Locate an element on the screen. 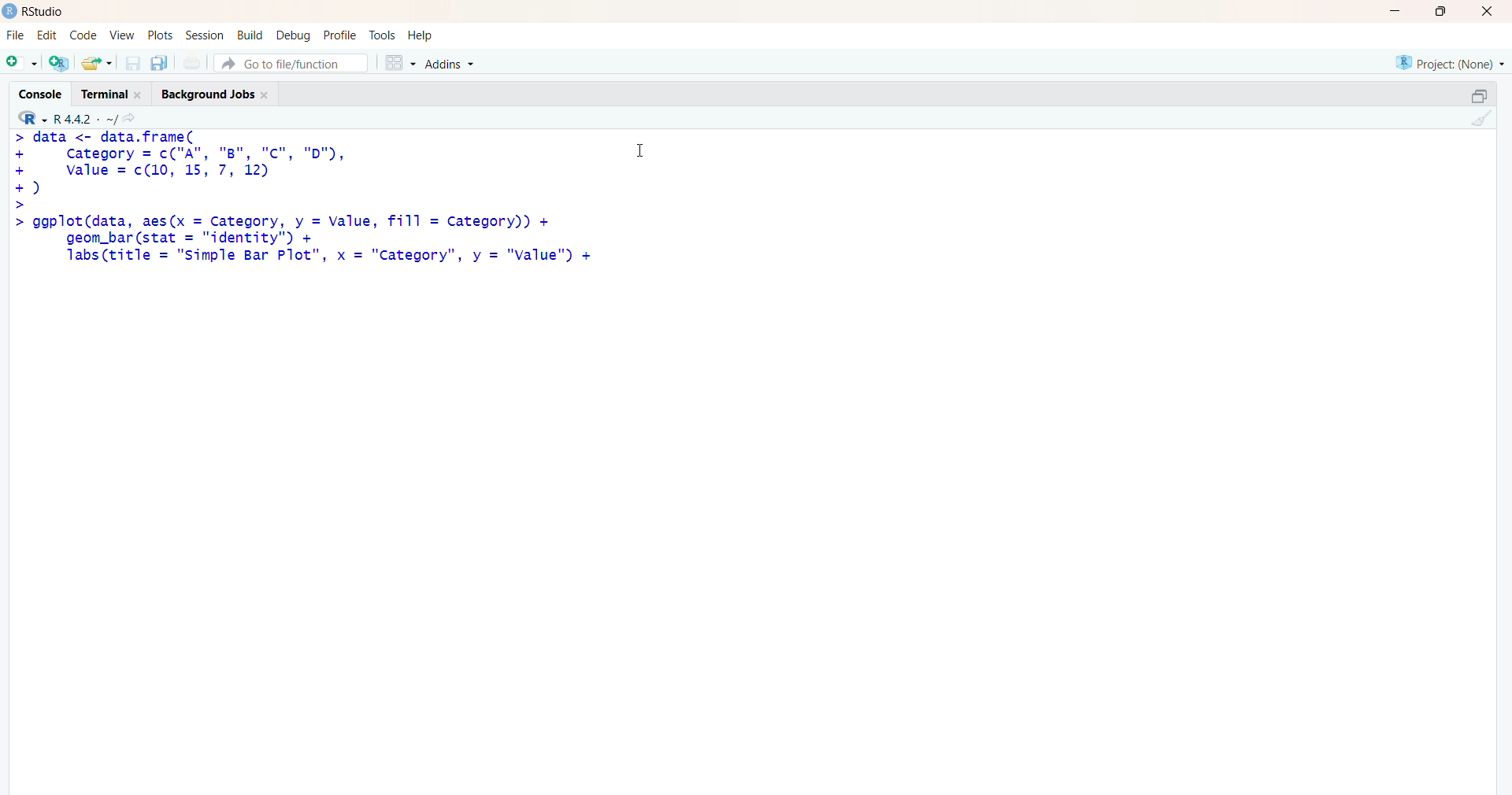 This screenshot has height=795, width=1512. Background Jobs is located at coordinates (214, 91).